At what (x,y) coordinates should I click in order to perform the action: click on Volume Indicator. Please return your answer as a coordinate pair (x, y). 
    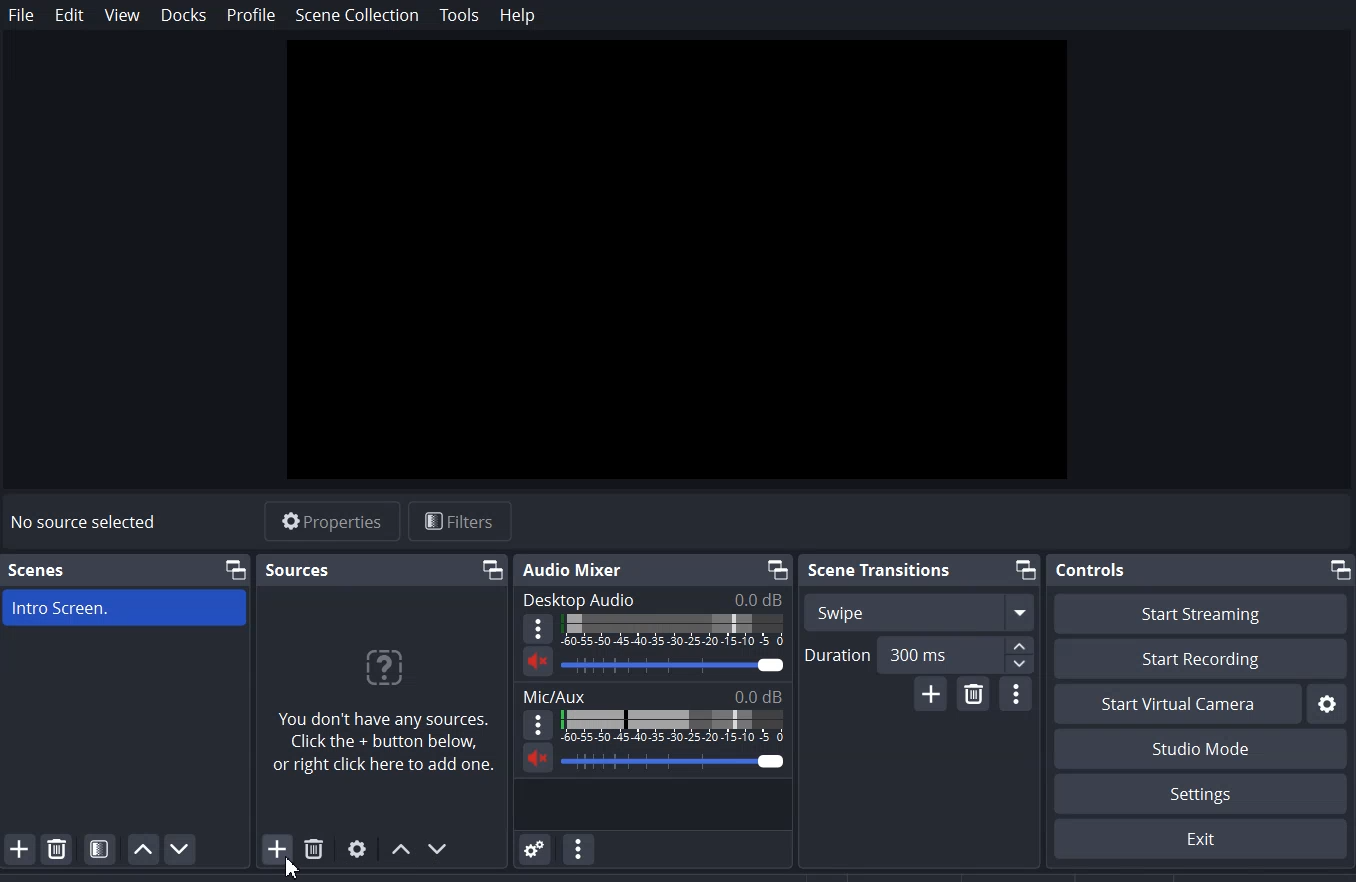
    Looking at the image, I should click on (672, 726).